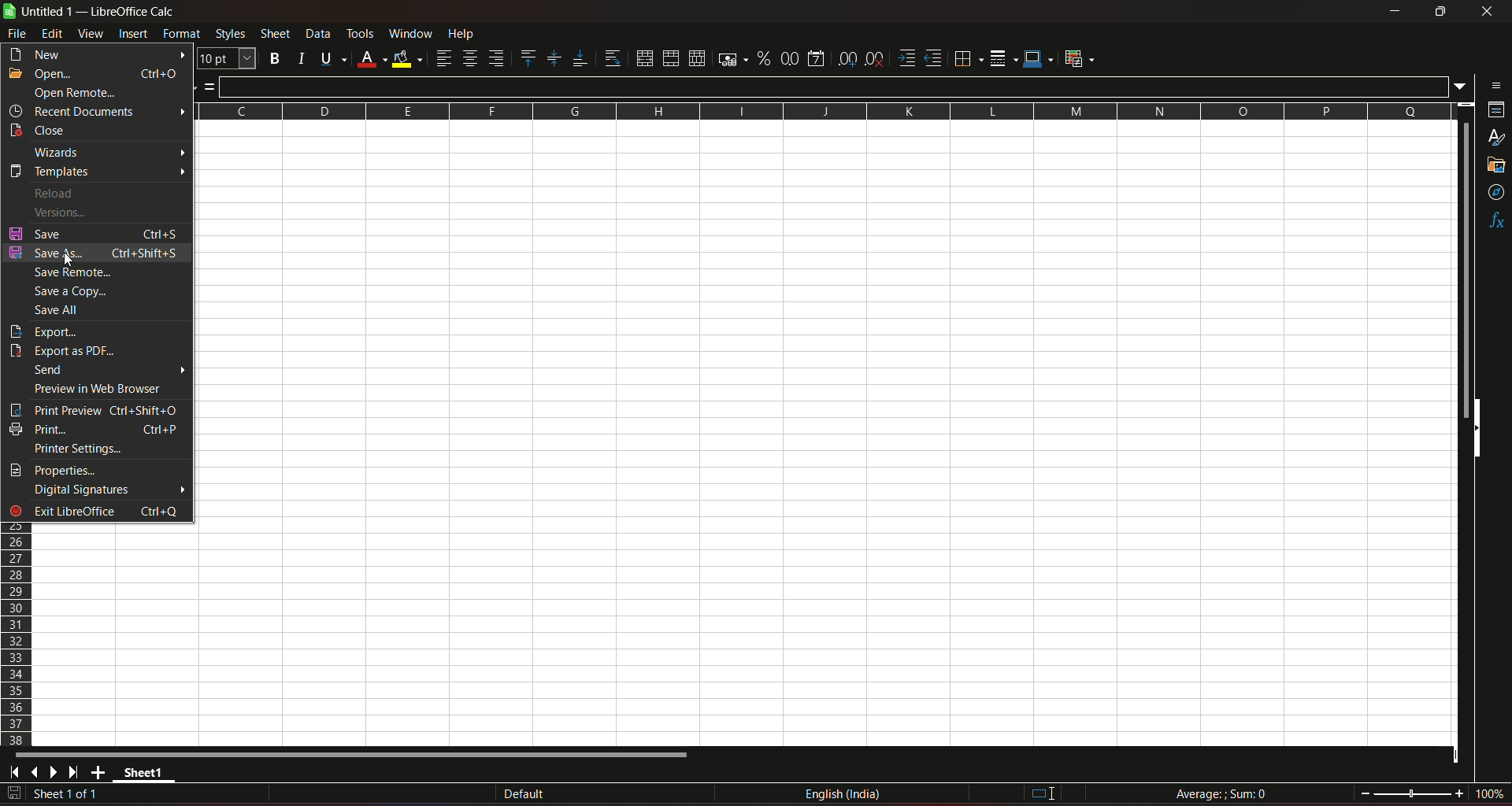 The height and width of the screenshot is (806, 1512). I want to click on align center, so click(469, 59).